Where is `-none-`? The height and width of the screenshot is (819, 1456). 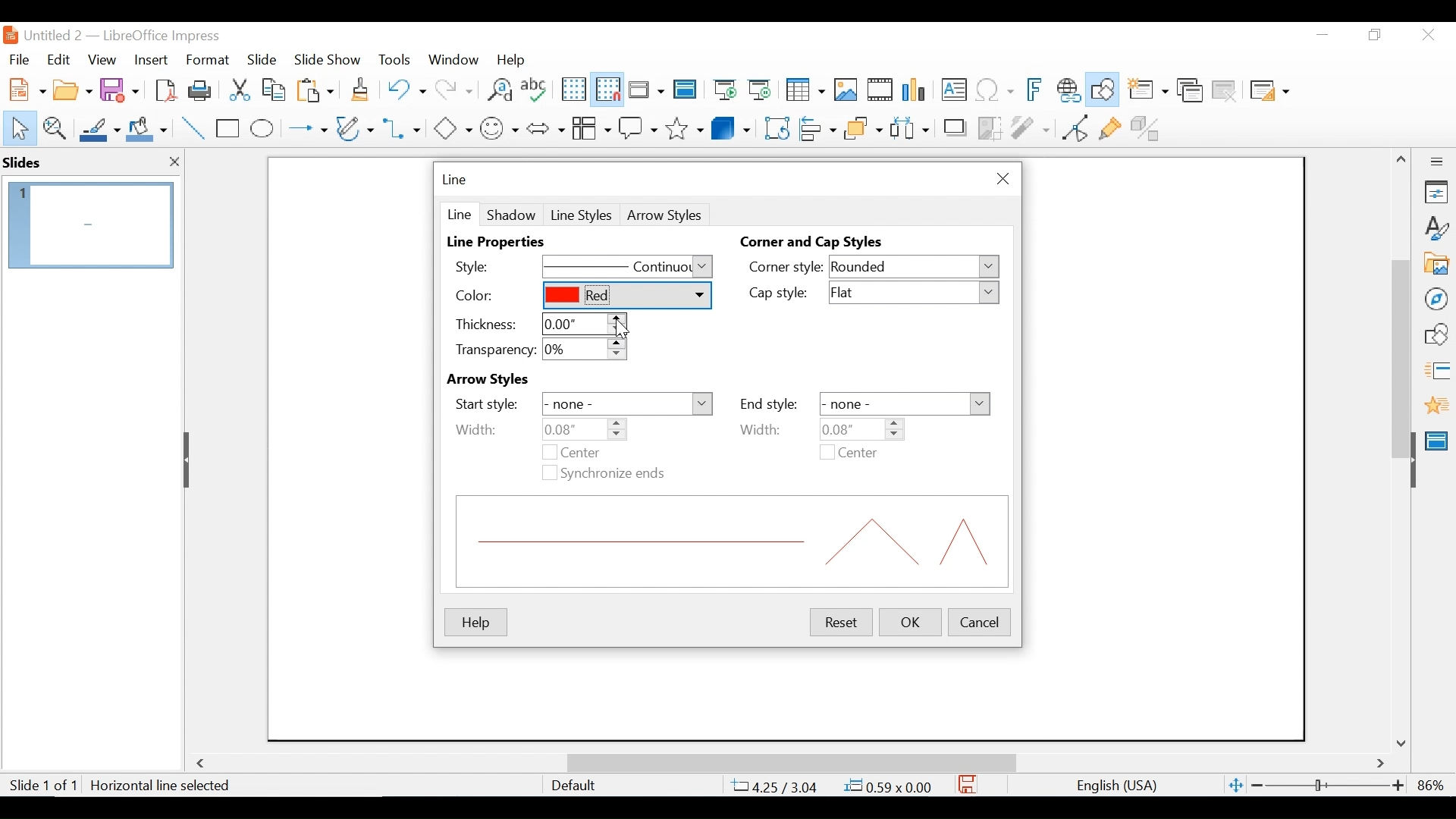
-none- is located at coordinates (905, 403).